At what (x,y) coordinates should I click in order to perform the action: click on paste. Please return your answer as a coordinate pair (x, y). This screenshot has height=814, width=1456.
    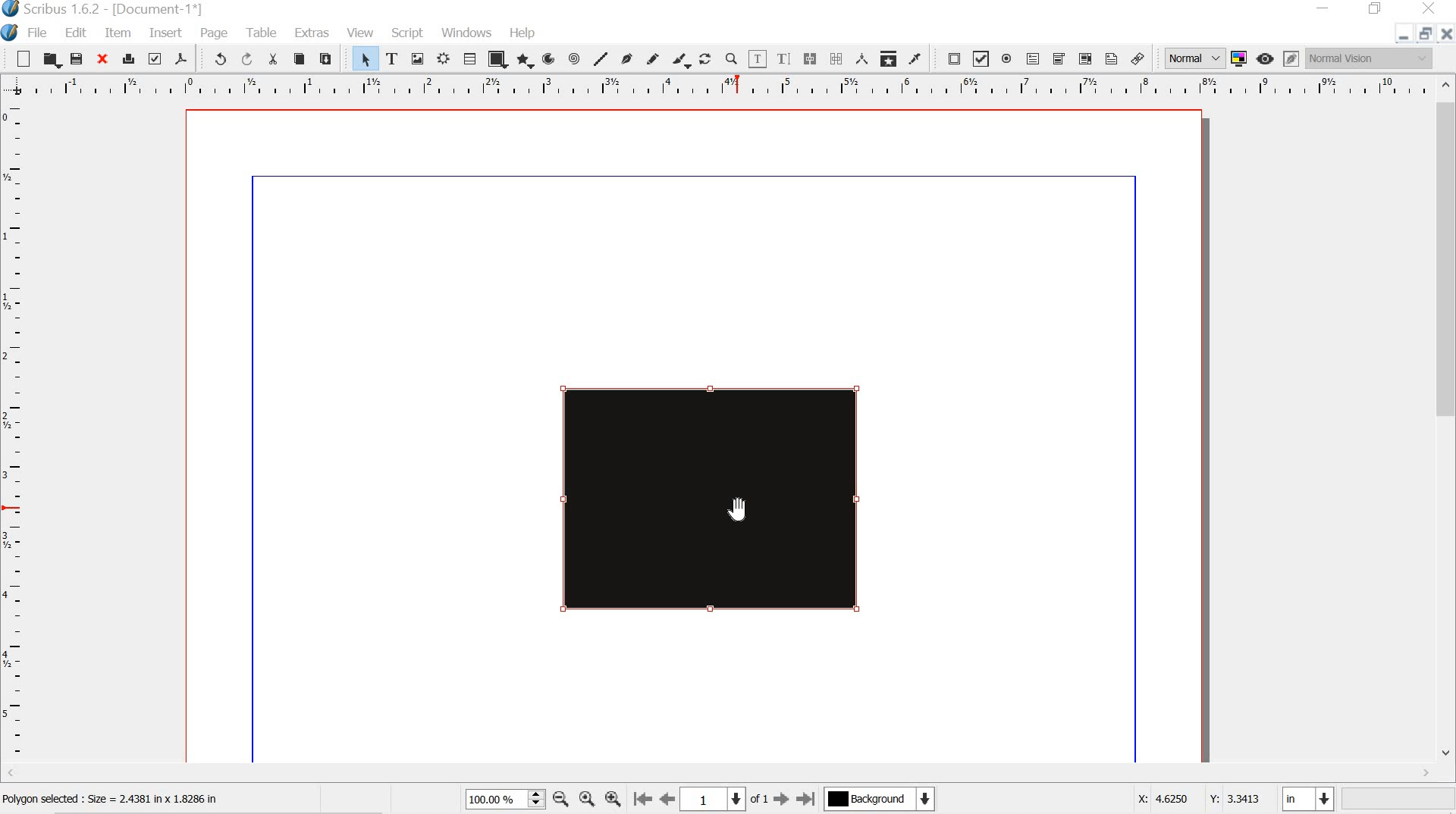
    Looking at the image, I should click on (331, 59).